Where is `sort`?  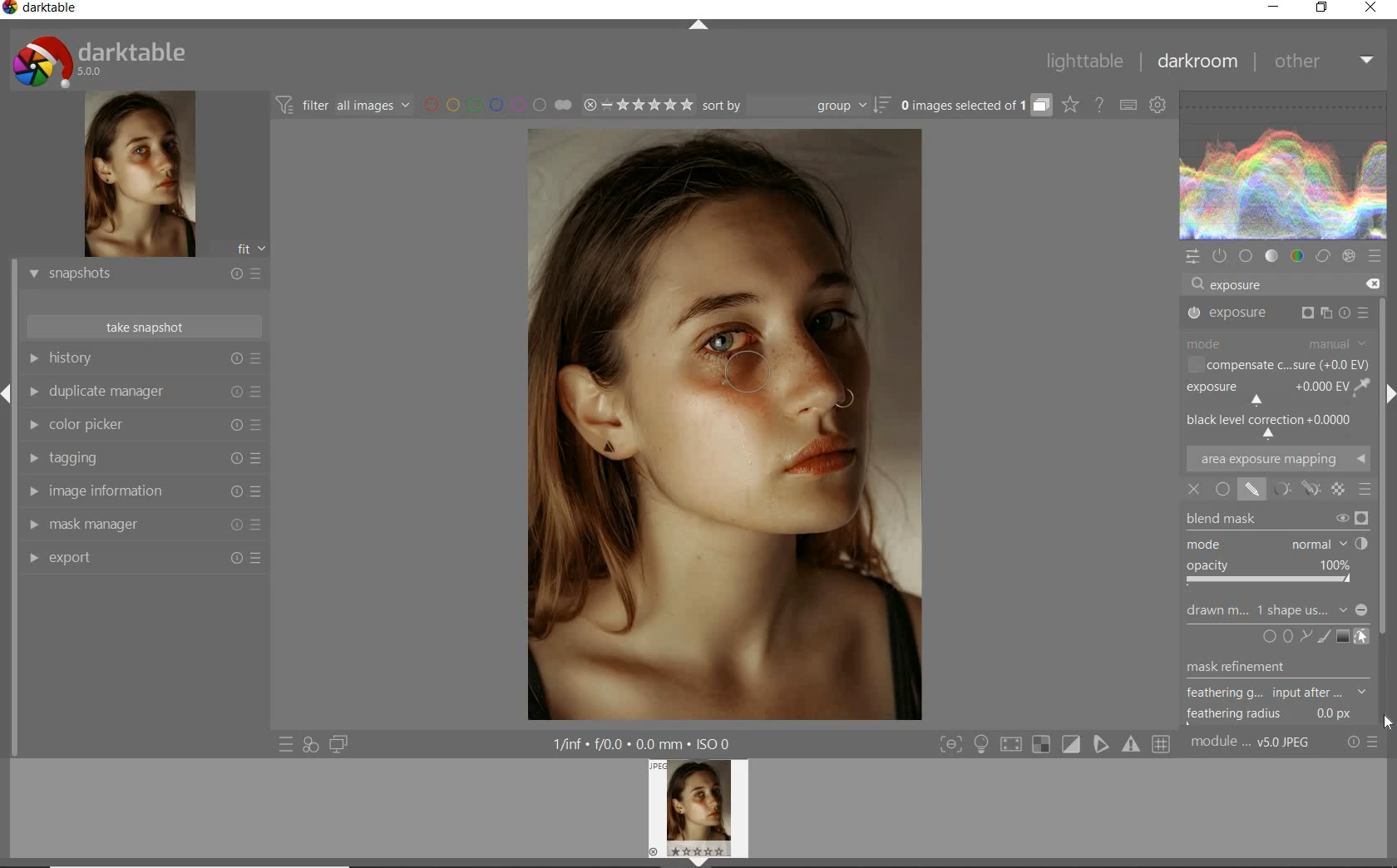 sort is located at coordinates (797, 105).